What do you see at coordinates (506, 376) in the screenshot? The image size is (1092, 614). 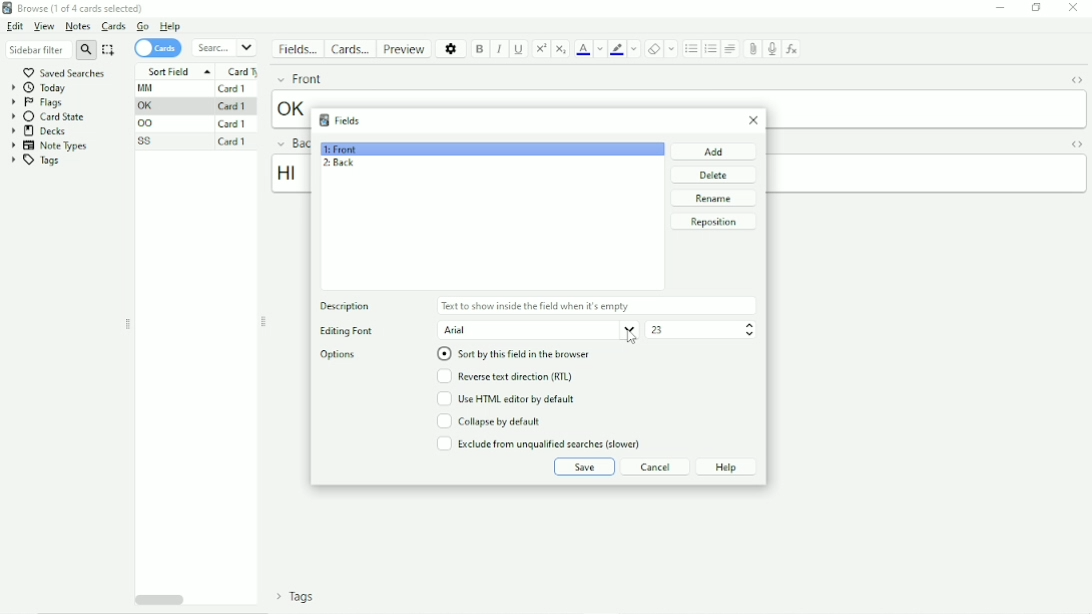 I see `Reverse text direction(RTL)` at bounding box center [506, 376].